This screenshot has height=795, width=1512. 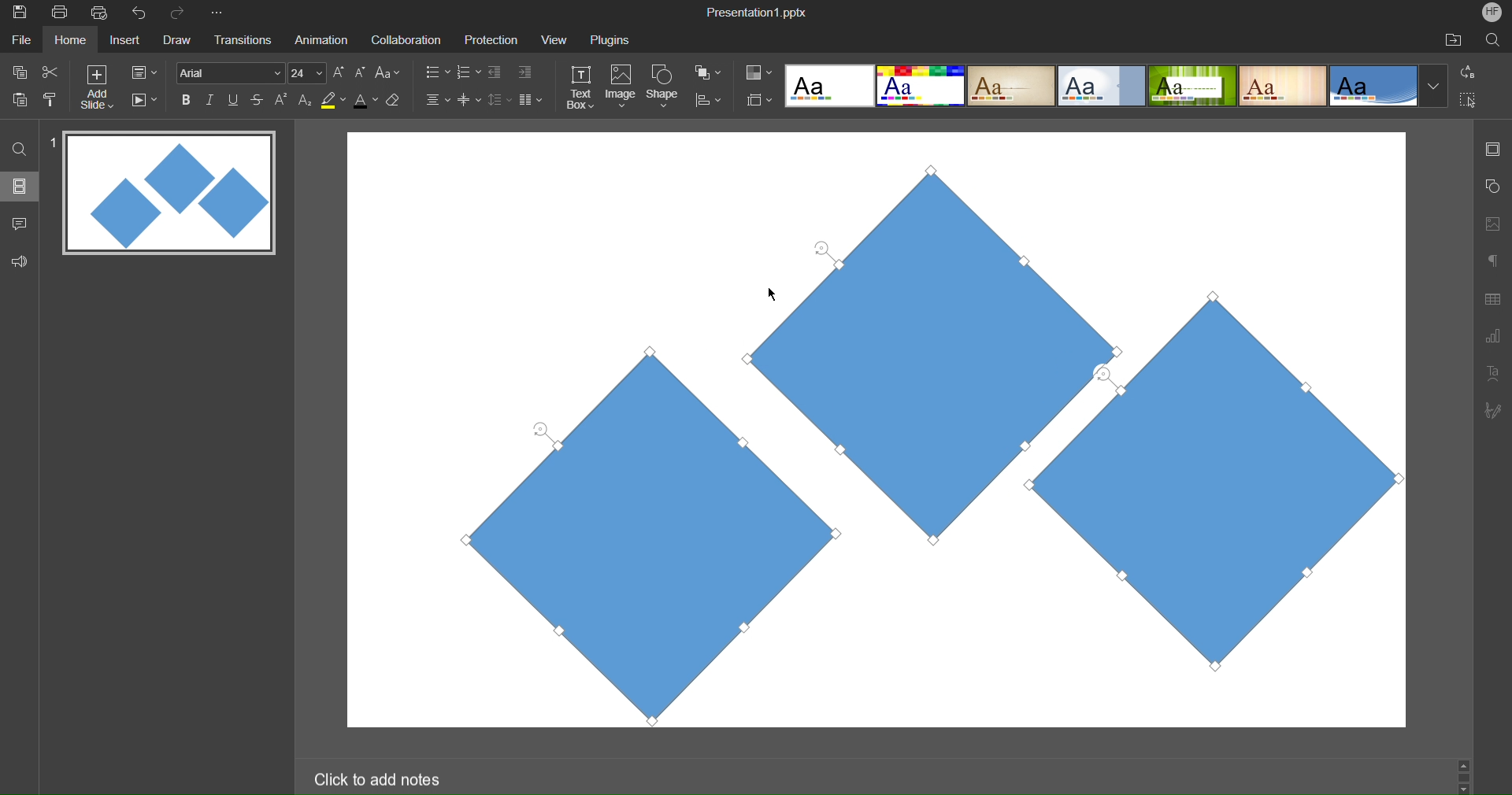 What do you see at coordinates (388, 72) in the screenshot?
I see `Font Case Settings` at bounding box center [388, 72].